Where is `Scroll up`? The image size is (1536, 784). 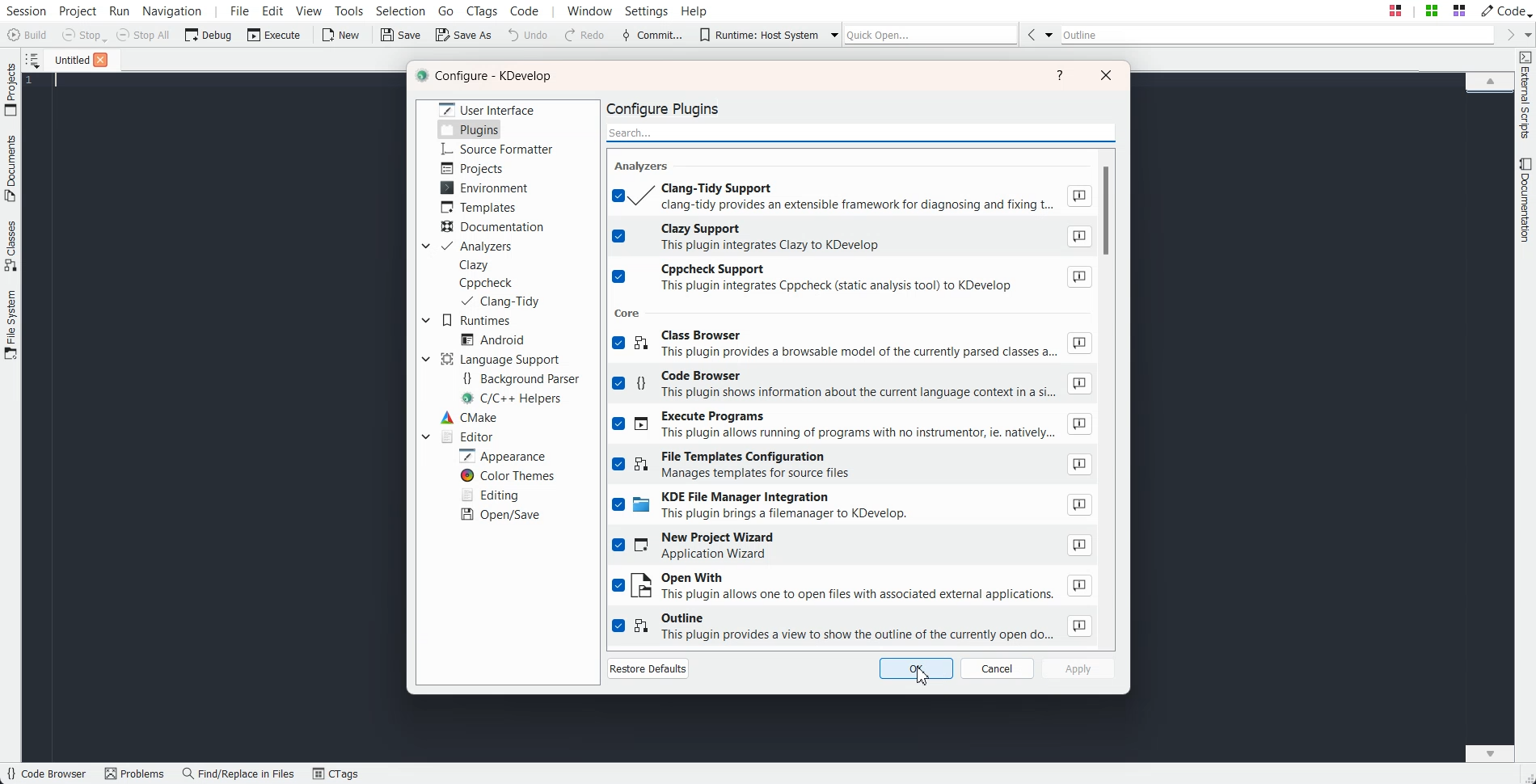
Scroll up is located at coordinates (1490, 80).